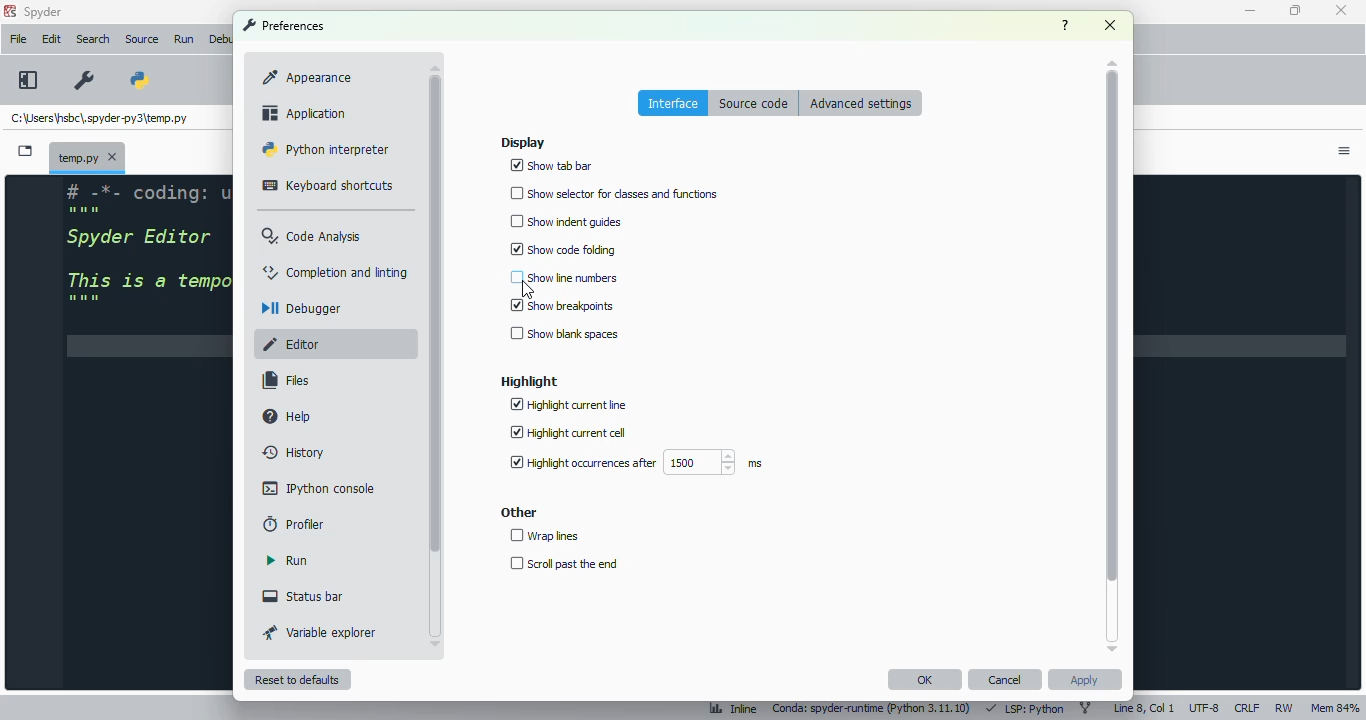 Image resolution: width=1366 pixels, height=720 pixels. Describe the element at coordinates (100, 119) in the screenshot. I see `temporary file` at that location.